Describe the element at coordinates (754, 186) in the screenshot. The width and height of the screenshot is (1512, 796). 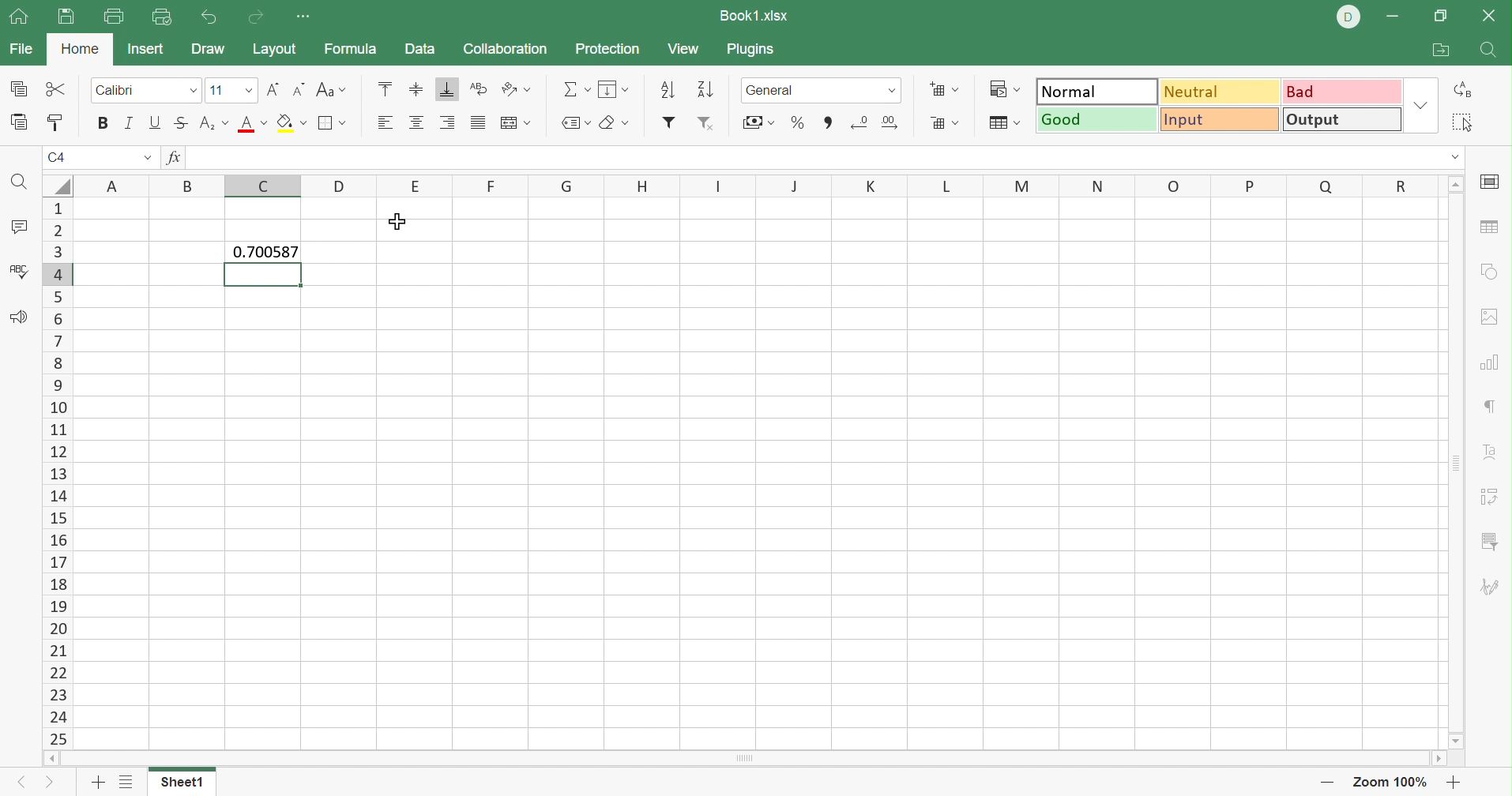
I see `Column names` at that location.